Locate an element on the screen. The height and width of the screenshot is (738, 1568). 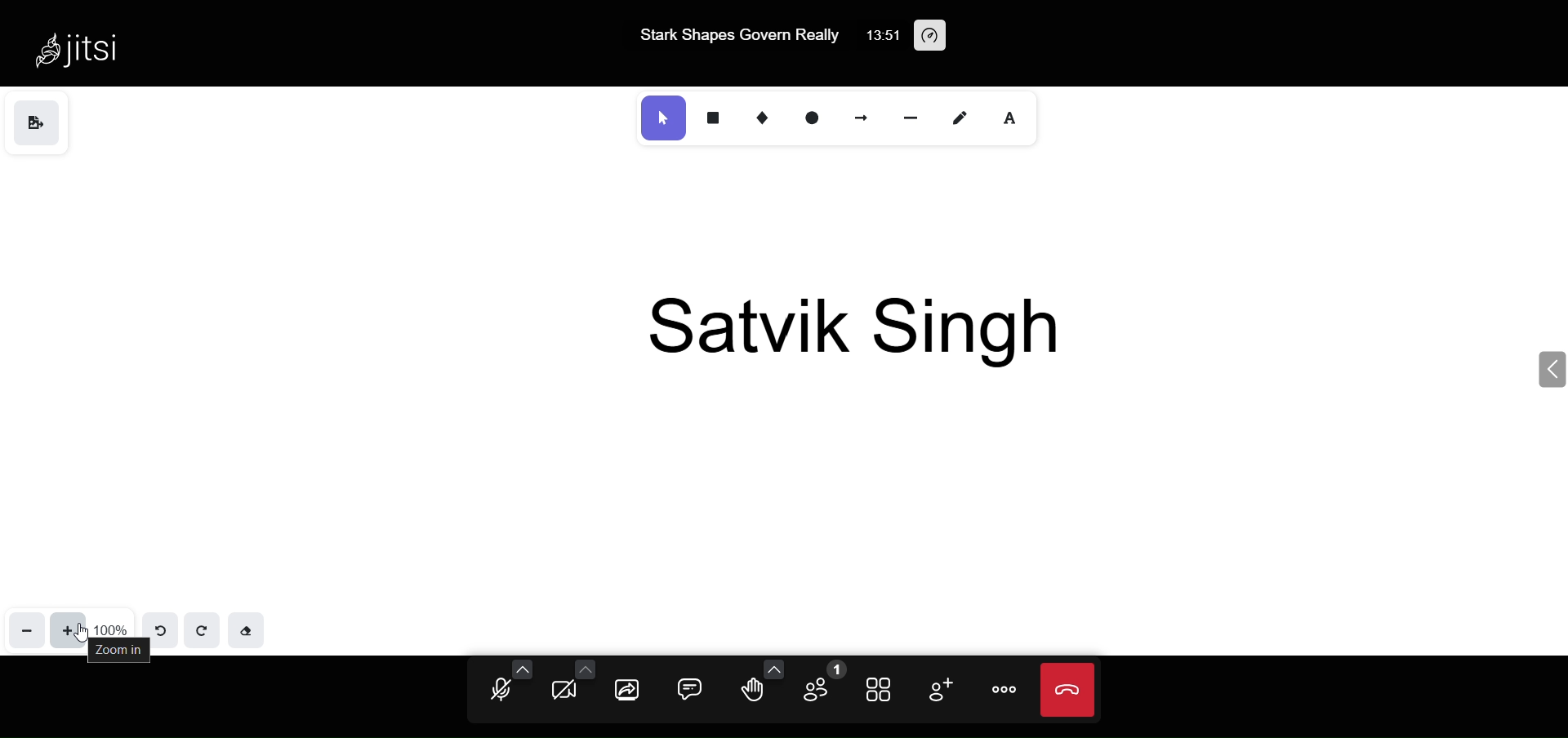
eraser is located at coordinates (250, 629).